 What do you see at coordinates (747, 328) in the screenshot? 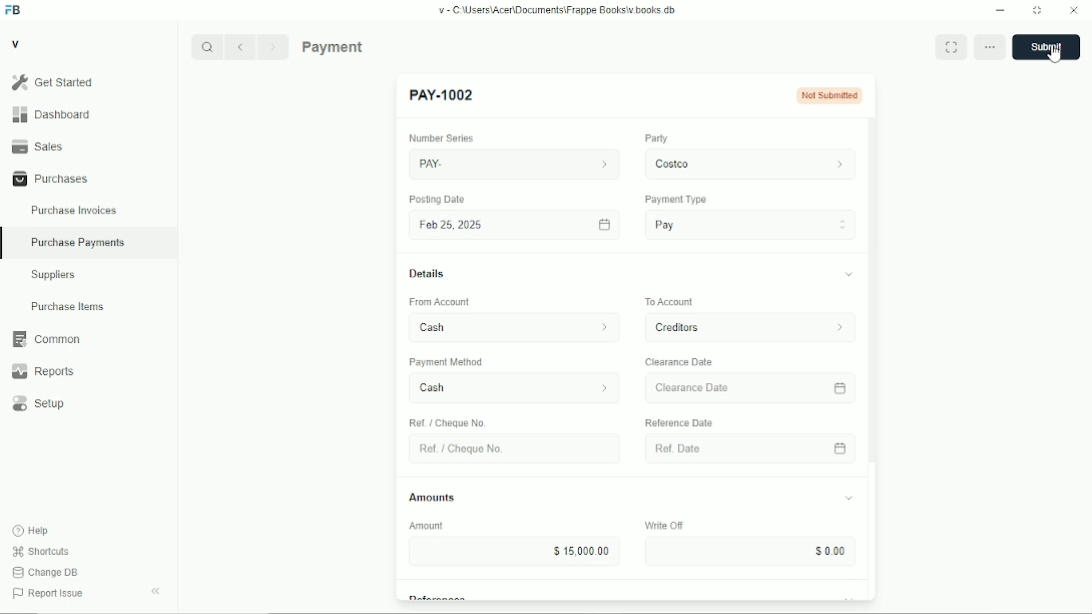
I see `To Account` at bounding box center [747, 328].